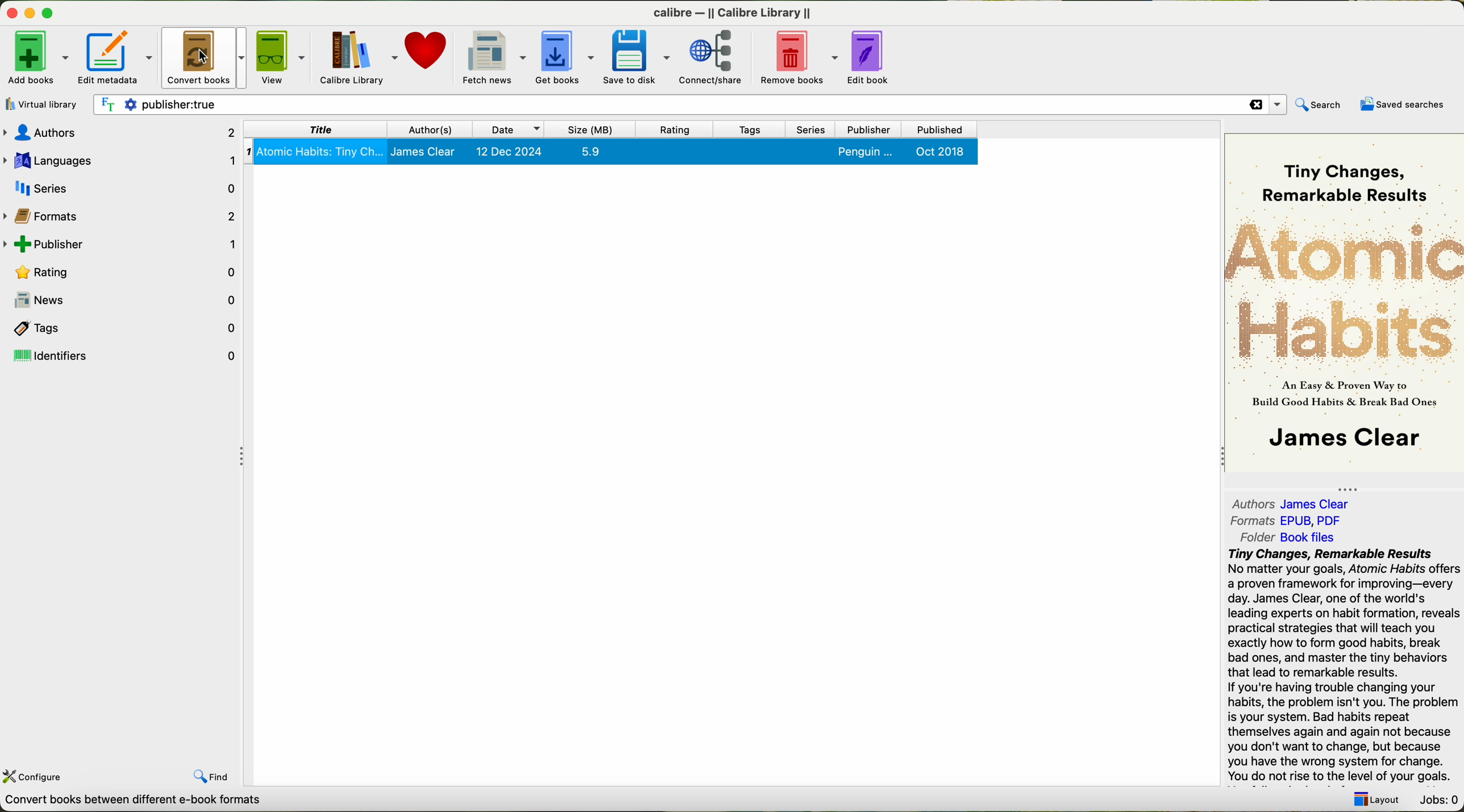 This screenshot has width=1464, height=812. What do you see at coordinates (941, 130) in the screenshot?
I see `published` at bounding box center [941, 130].